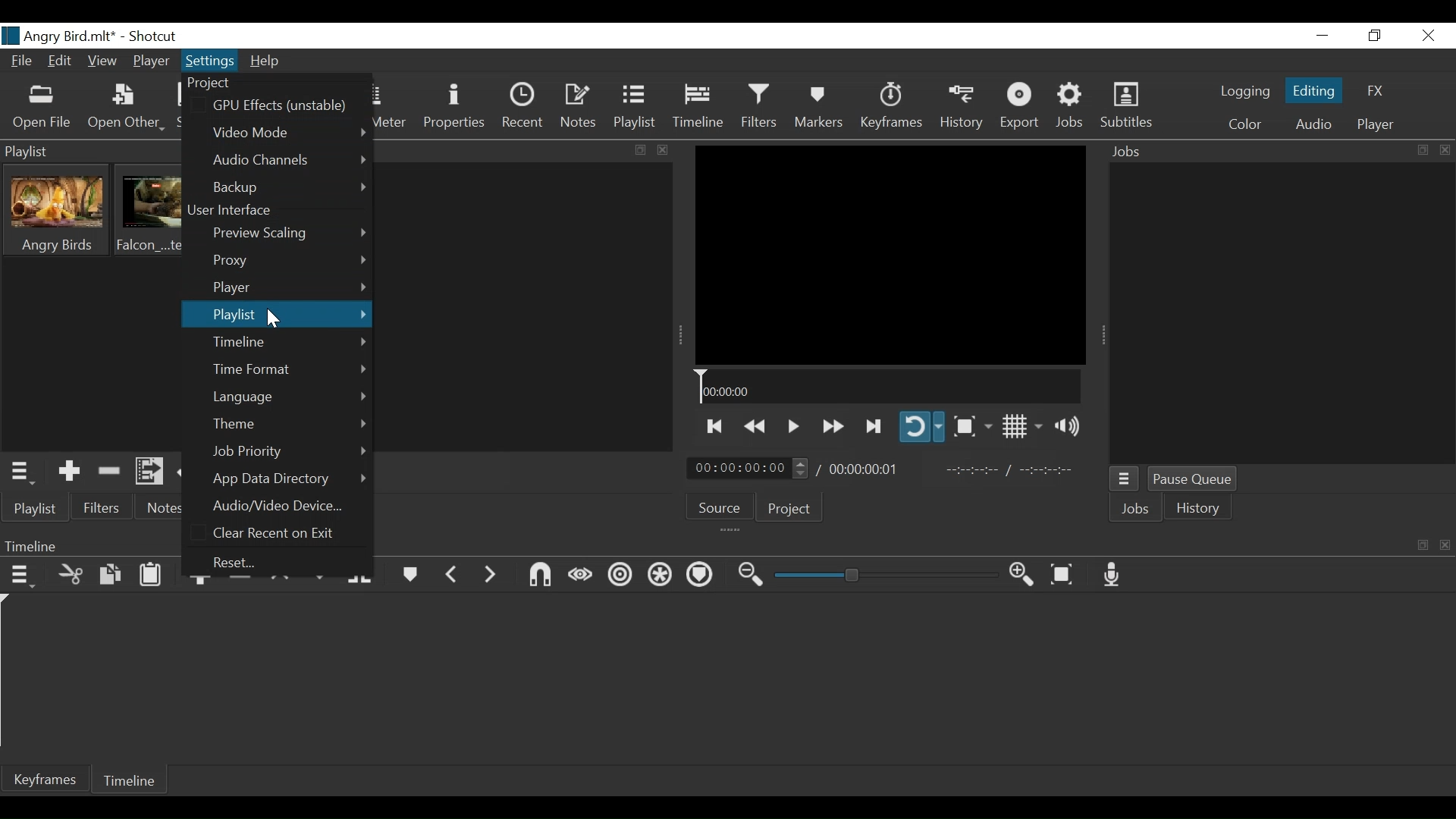  What do you see at coordinates (163, 508) in the screenshot?
I see `Notes` at bounding box center [163, 508].